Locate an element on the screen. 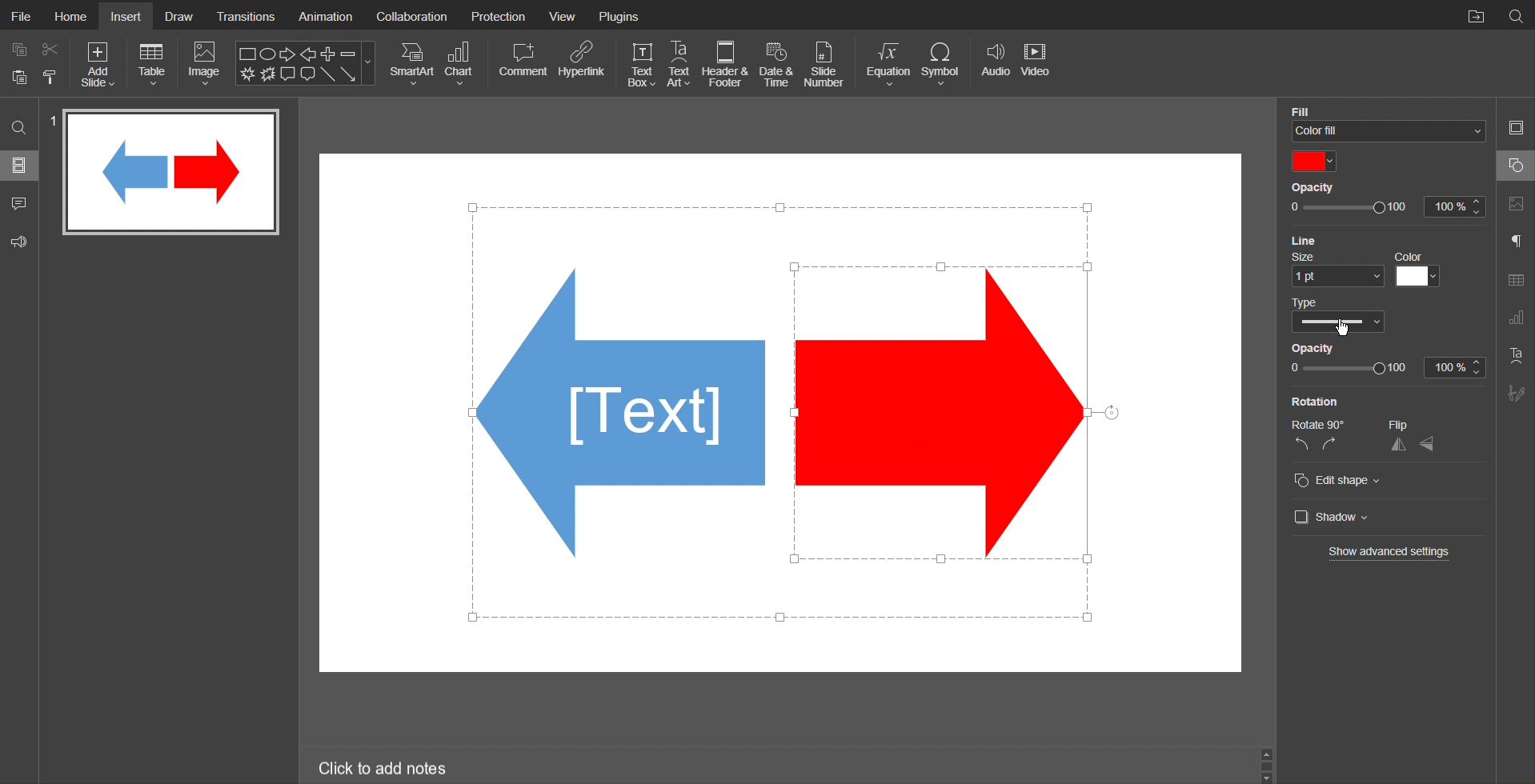  size is located at coordinates (1332, 268).